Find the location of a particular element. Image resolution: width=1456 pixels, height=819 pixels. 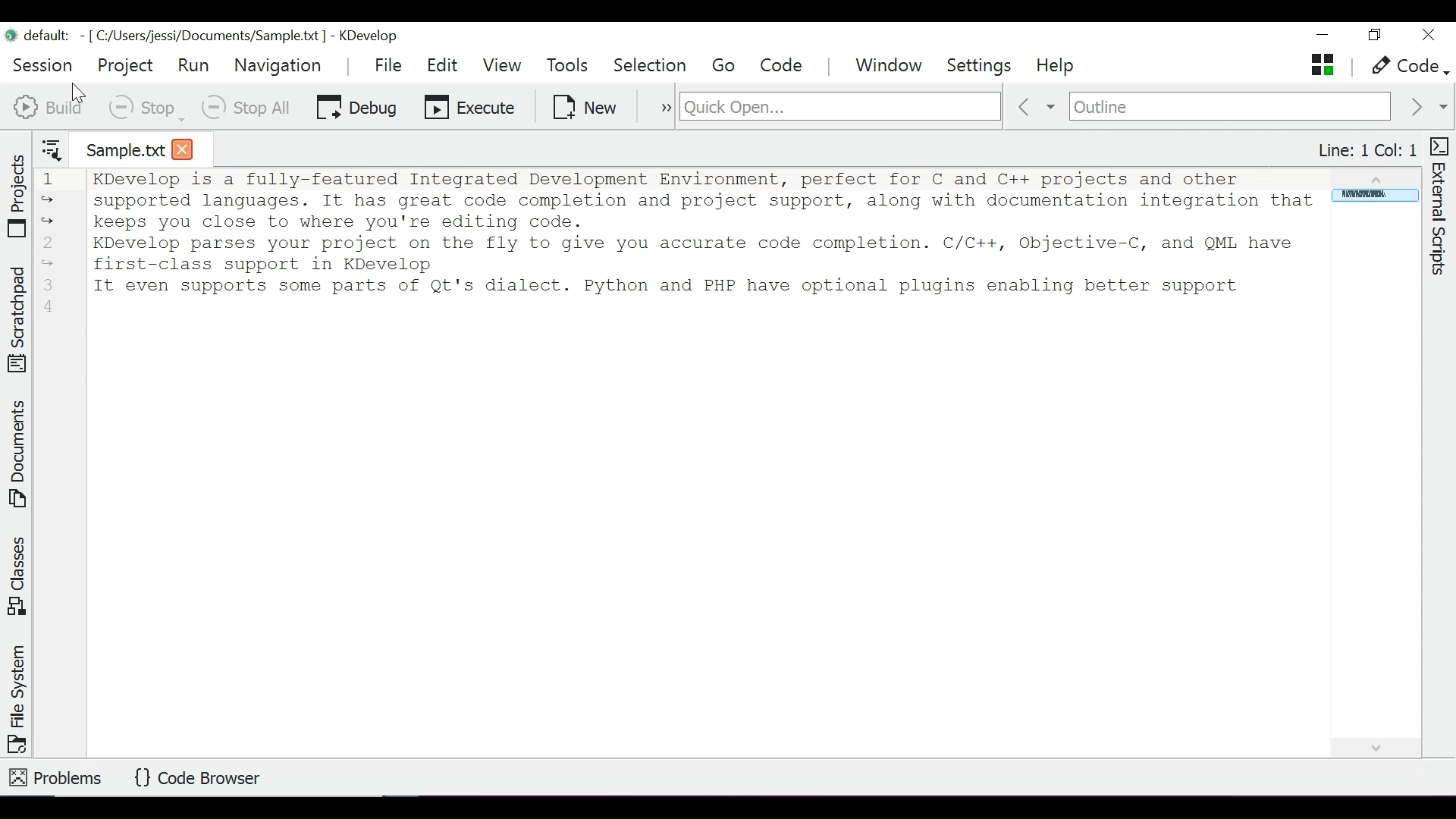

Toggle Classes tool view is located at coordinates (19, 579).